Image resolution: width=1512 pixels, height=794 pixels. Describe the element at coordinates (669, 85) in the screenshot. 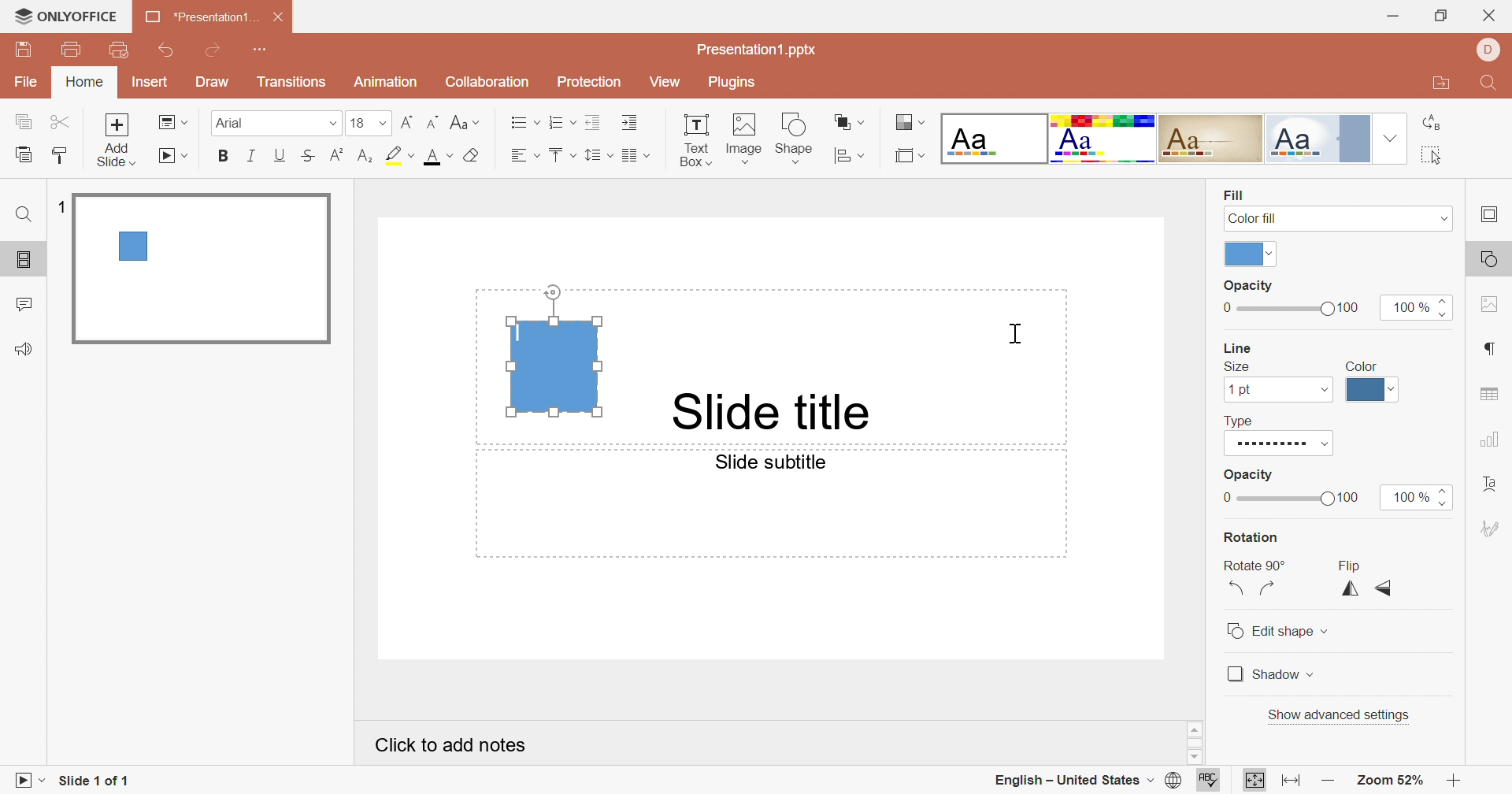

I see `View` at that location.